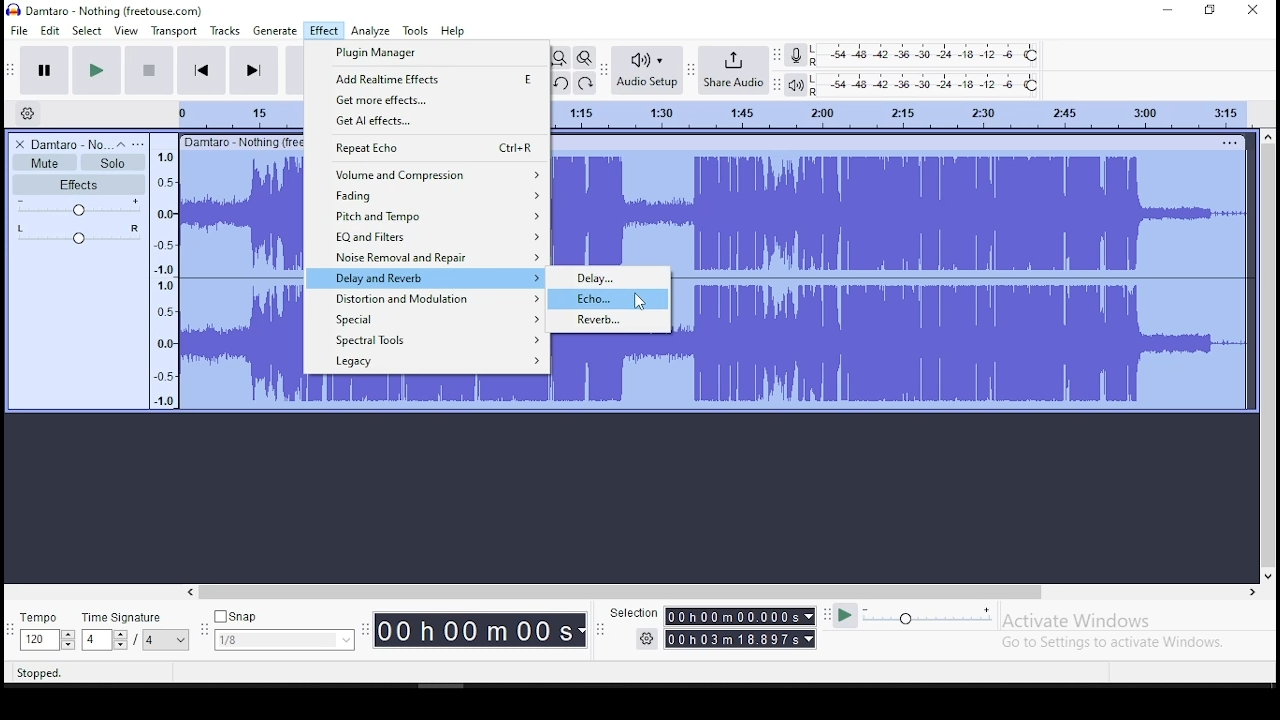 Image resolution: width=1280 pixels, height=720 pixels. I want to click on distortion and modulation, so click(427, 299).